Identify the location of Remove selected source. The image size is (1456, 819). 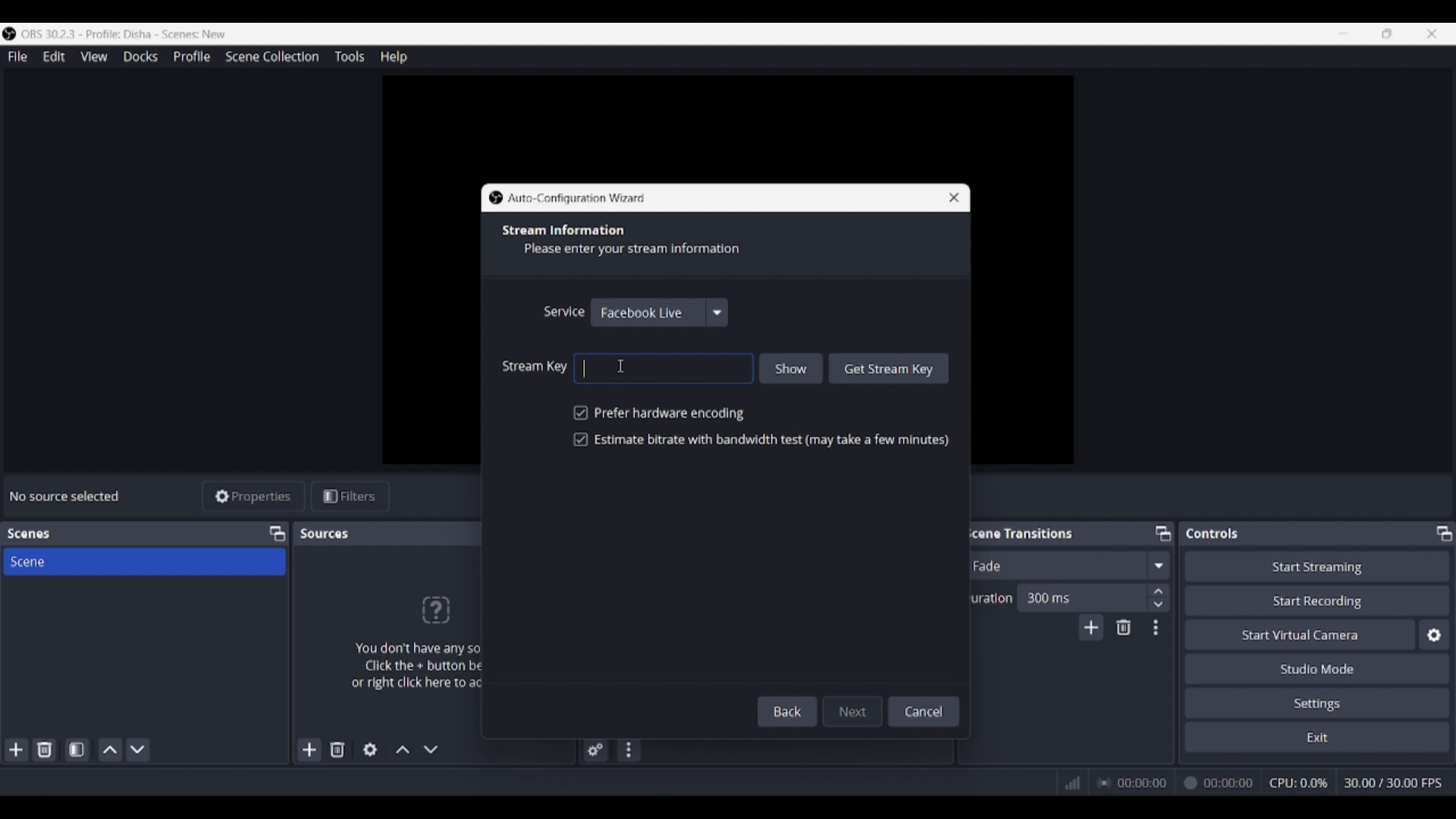
(337, 749).